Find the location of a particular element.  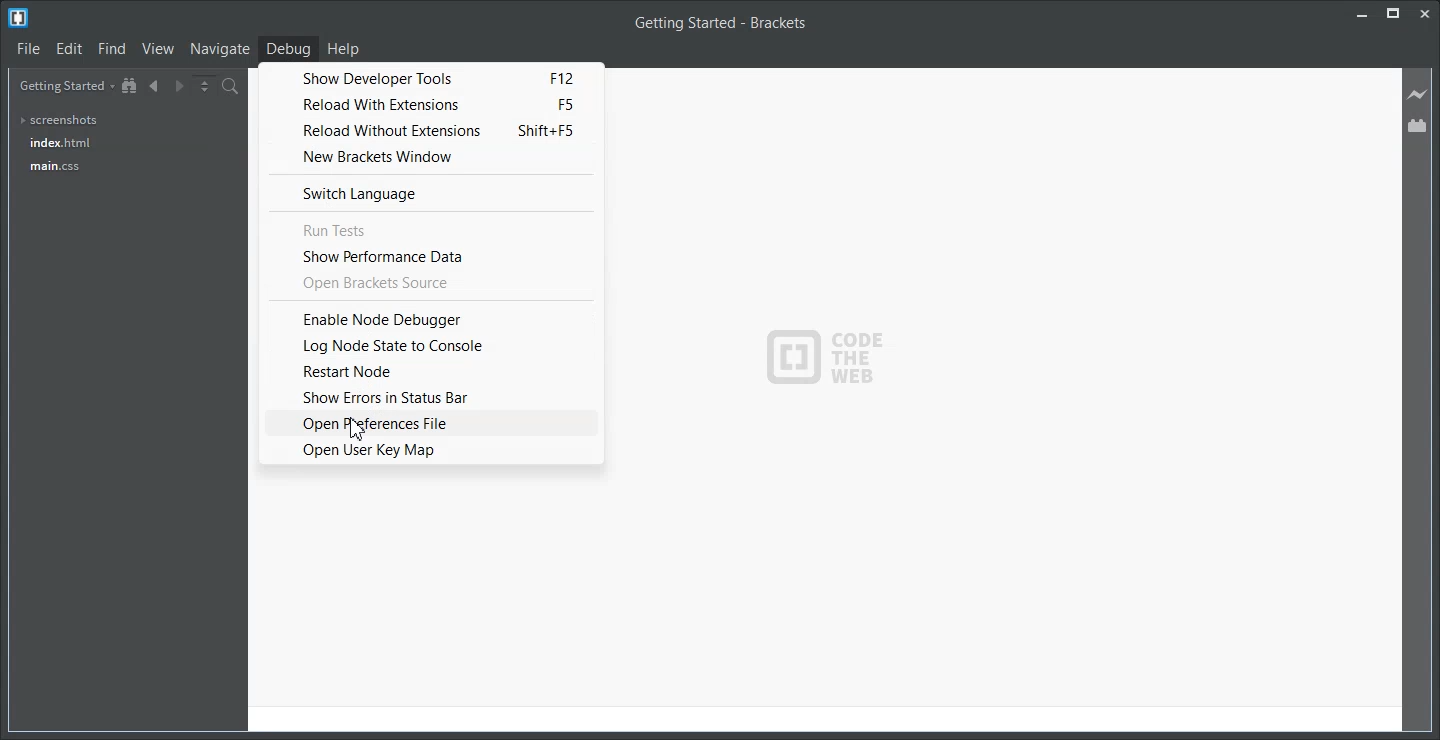

Enable Node Debugger is located at coordinates (430, 318).